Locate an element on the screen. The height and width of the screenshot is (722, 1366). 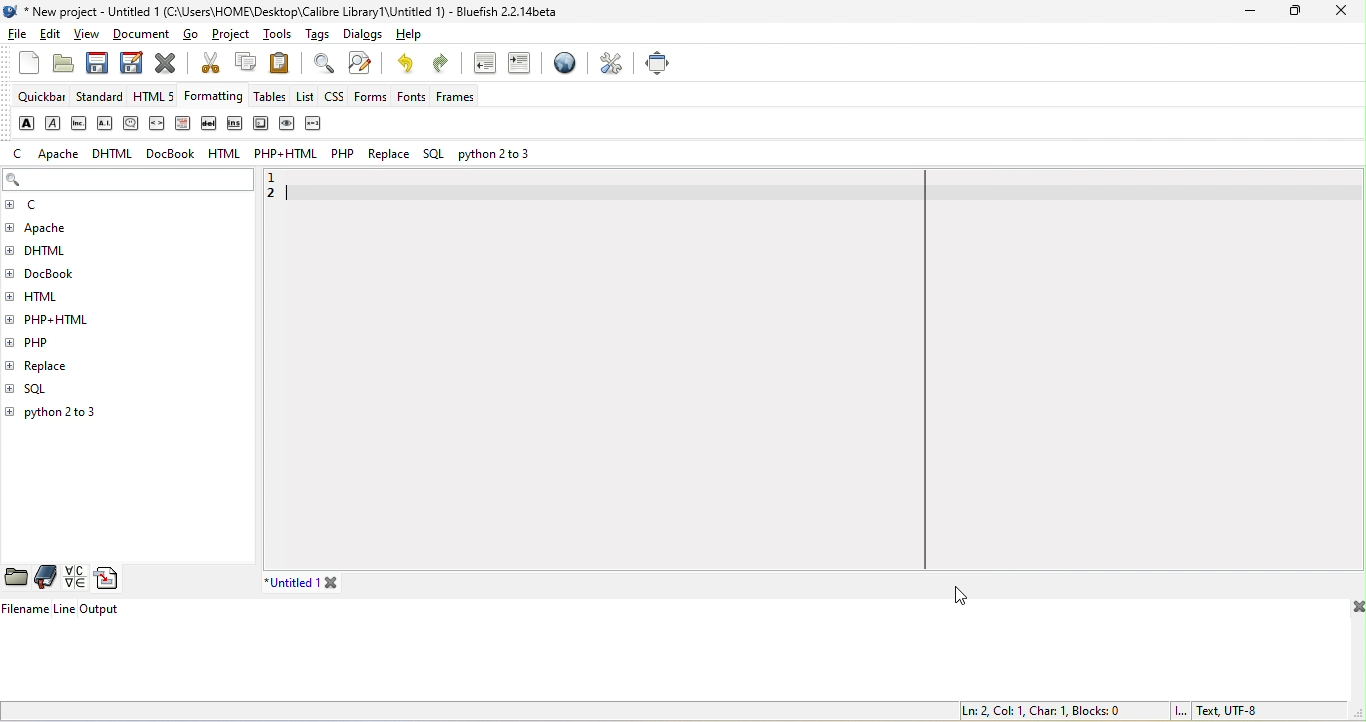
formatting is located at coordinates (217, 97).